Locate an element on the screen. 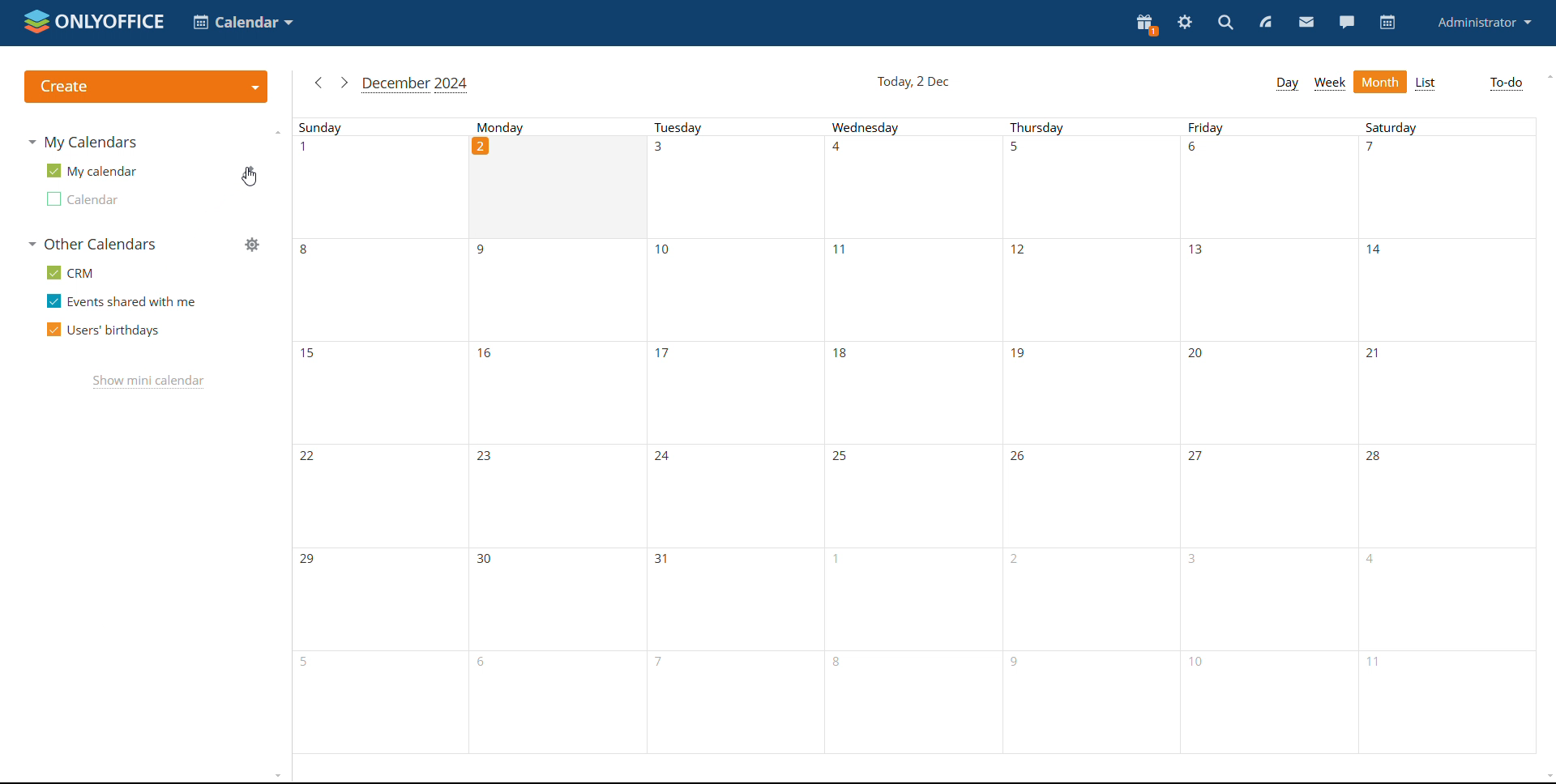 This screenshot has width=1556, height=784. saturday is located at coordinates (1446, 445).